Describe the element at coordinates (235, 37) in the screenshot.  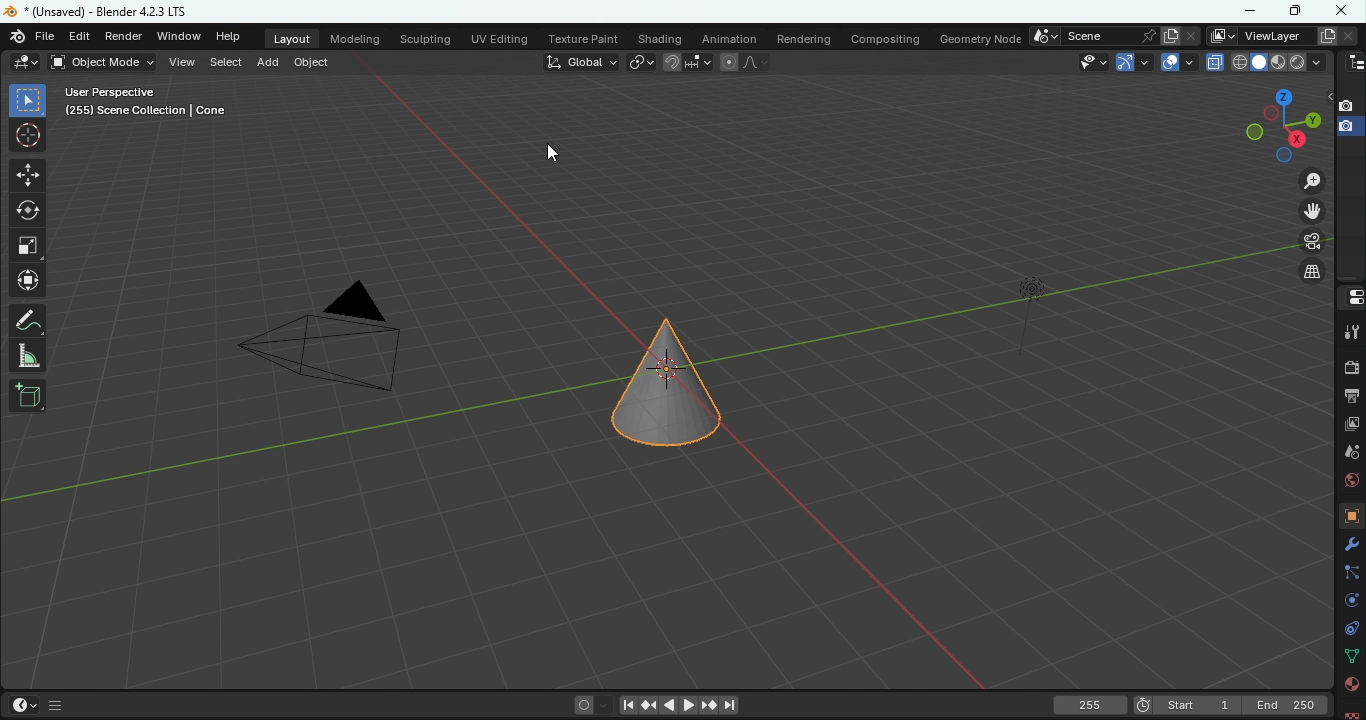
I see `Help` at that location.